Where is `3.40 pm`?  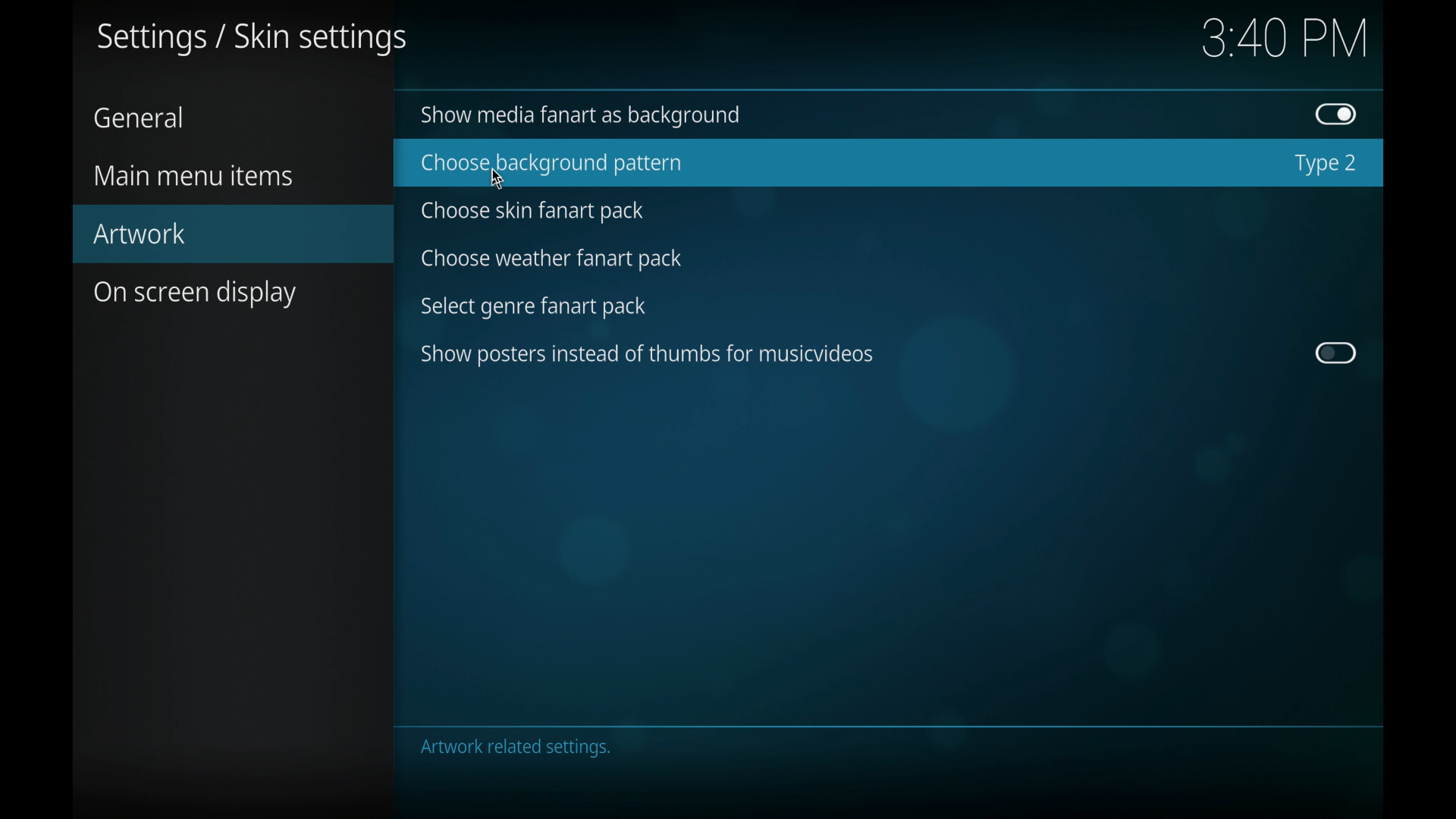 3.40 pm is located at coordinates (1286, 38).